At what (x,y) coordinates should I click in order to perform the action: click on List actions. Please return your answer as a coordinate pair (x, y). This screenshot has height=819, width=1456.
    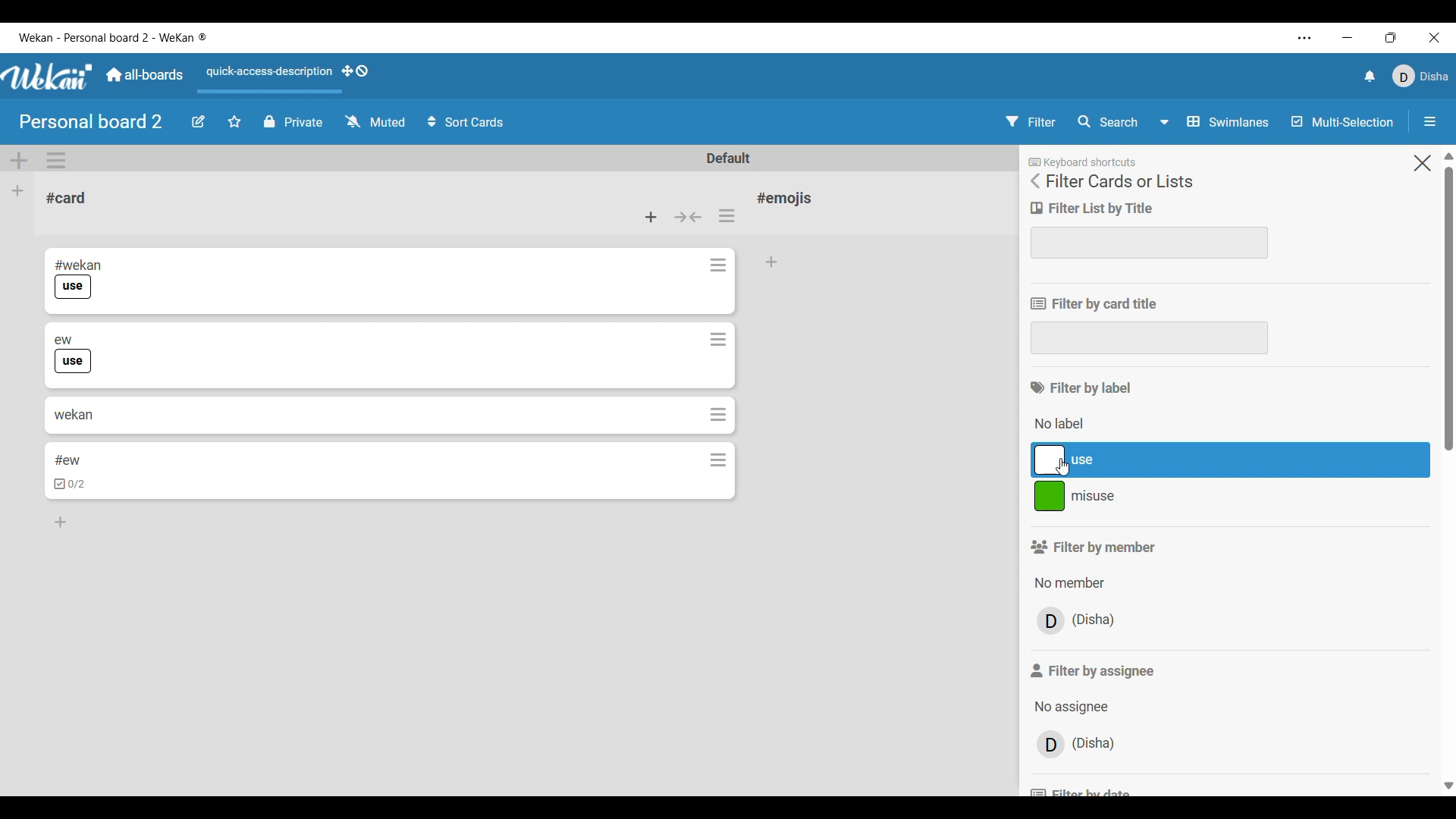
    Looking at the image, I should click on (726, 215).